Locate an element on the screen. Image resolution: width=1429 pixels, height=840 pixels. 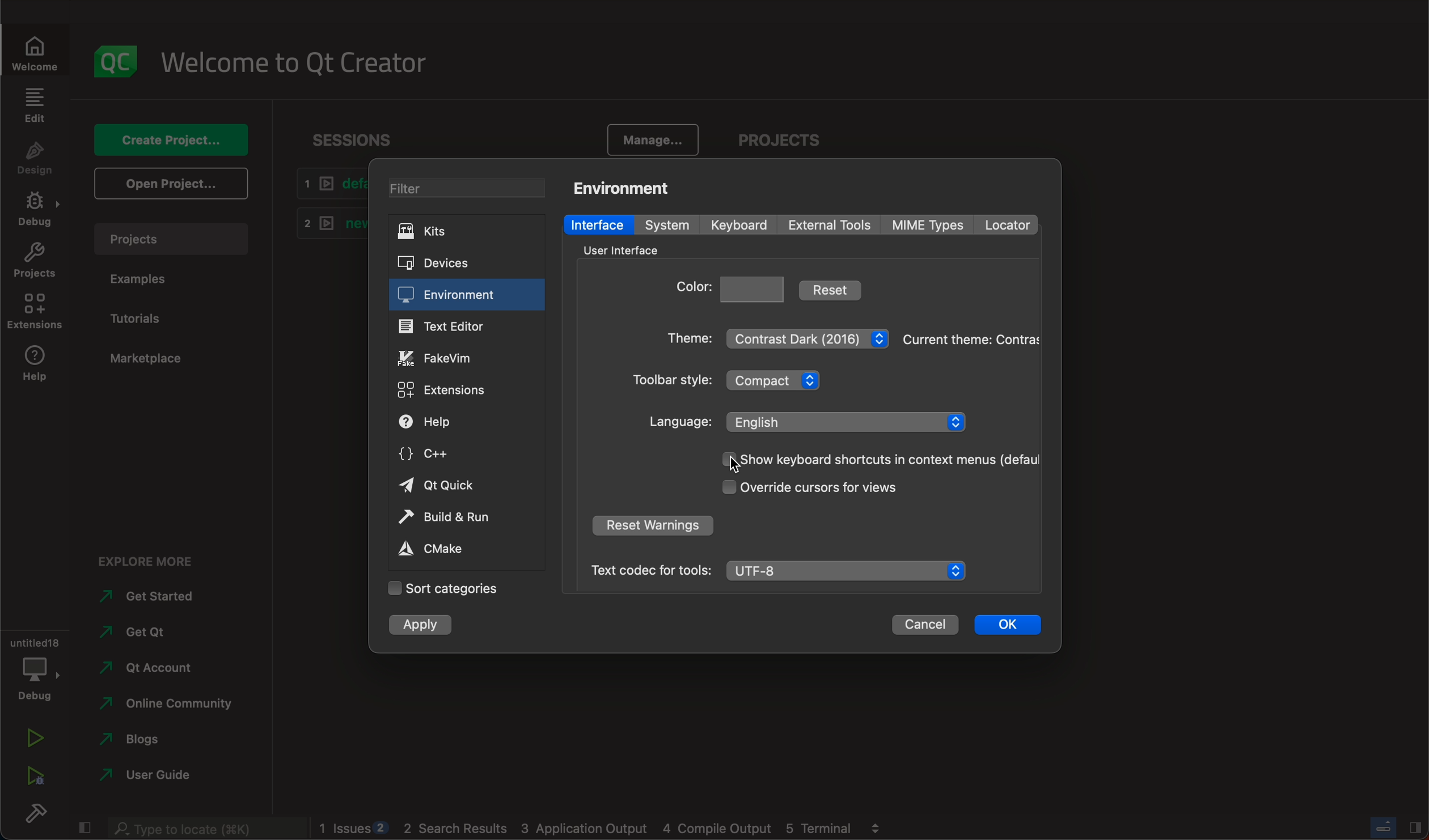
marketplace is located at coordinates (151, 359).